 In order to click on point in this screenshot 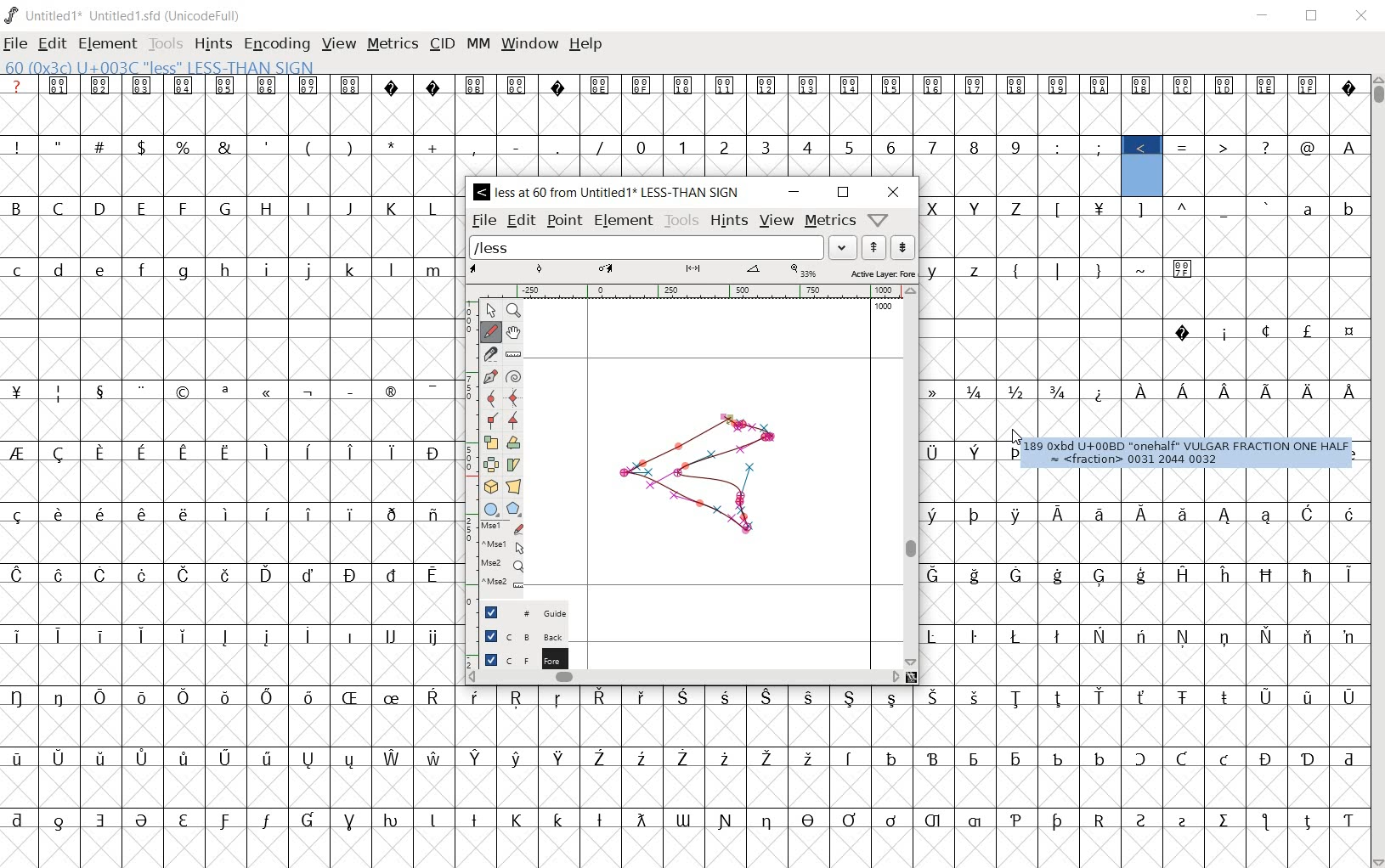, I will do `click(564, 221)`.